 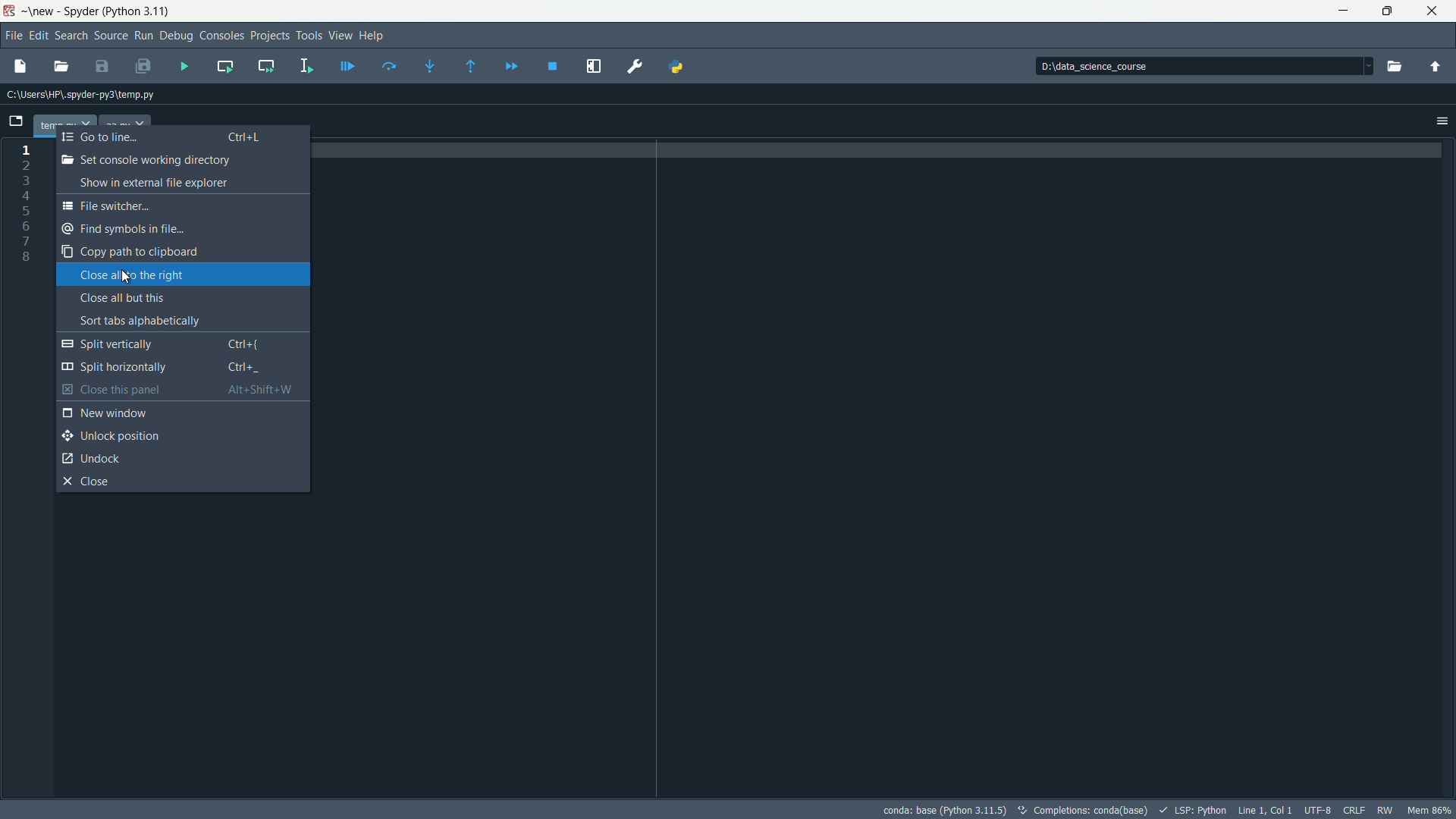 I want to click on 1 2 3 4 5 6 7 8 line number, so click(x=29, y=208).